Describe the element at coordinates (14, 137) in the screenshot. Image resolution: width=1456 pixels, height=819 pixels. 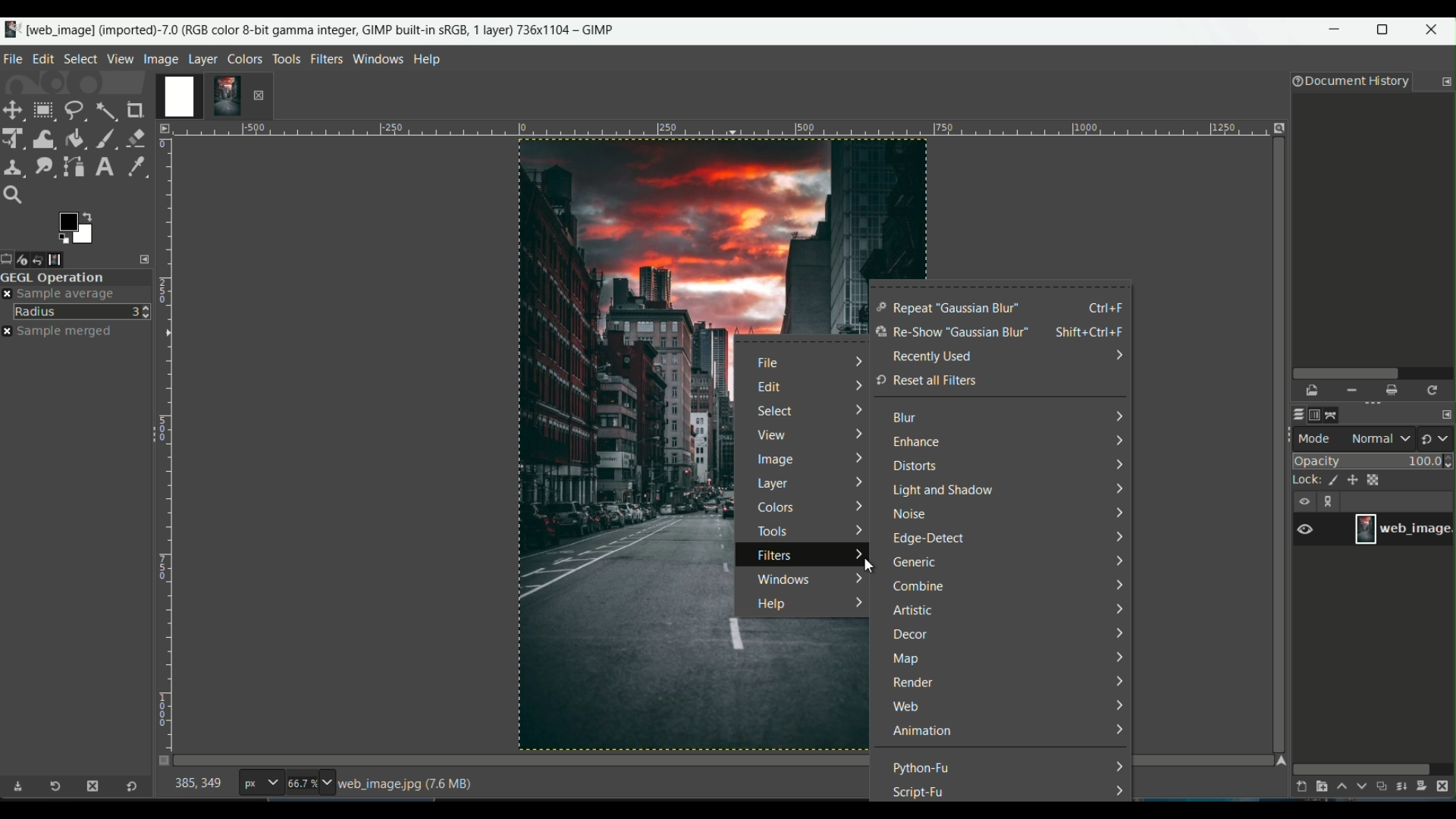
I see `unified transform tool` at that location.